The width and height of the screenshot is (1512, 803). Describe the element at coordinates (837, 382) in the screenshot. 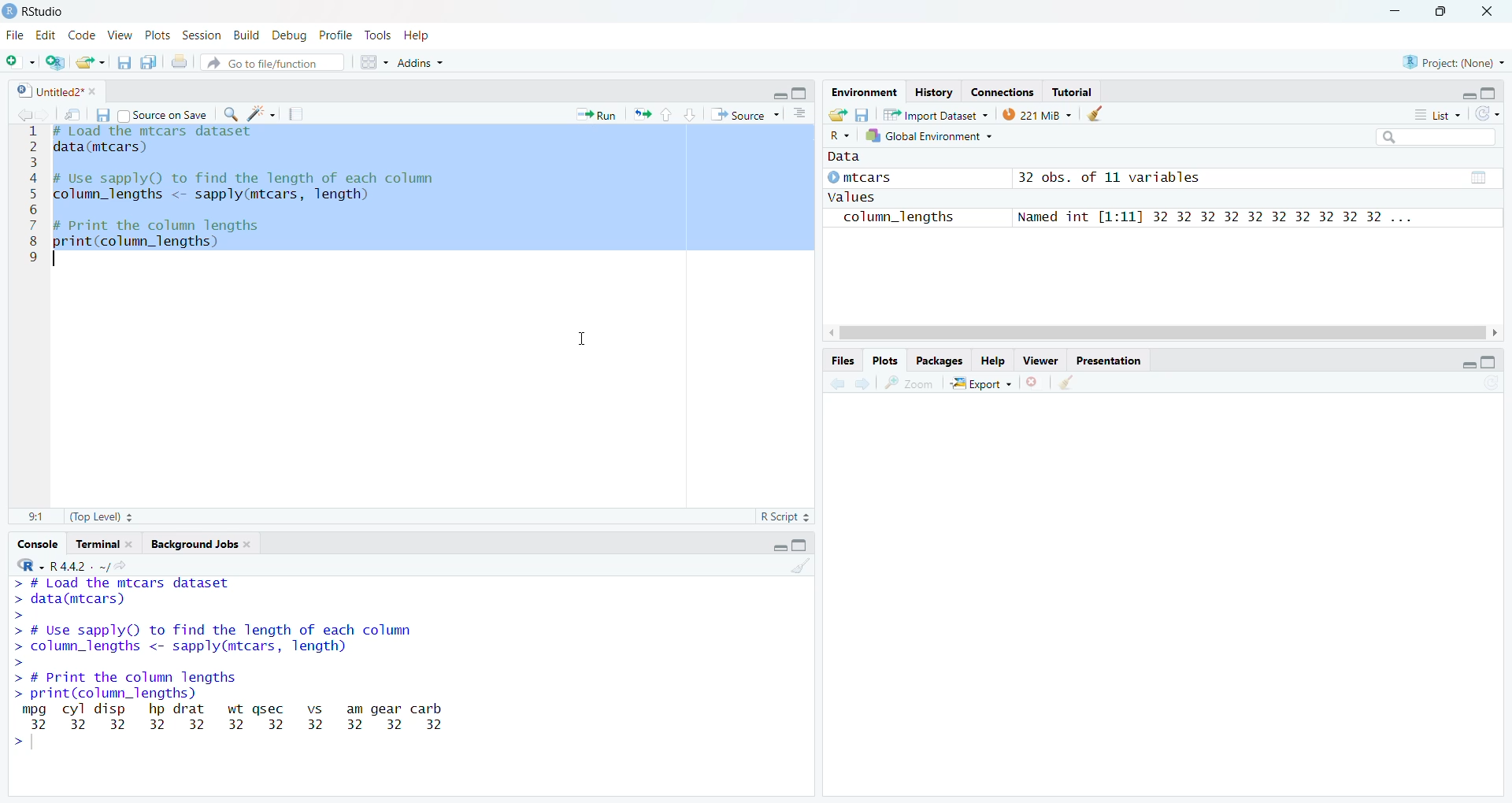

I see `Previous plot` at that location.